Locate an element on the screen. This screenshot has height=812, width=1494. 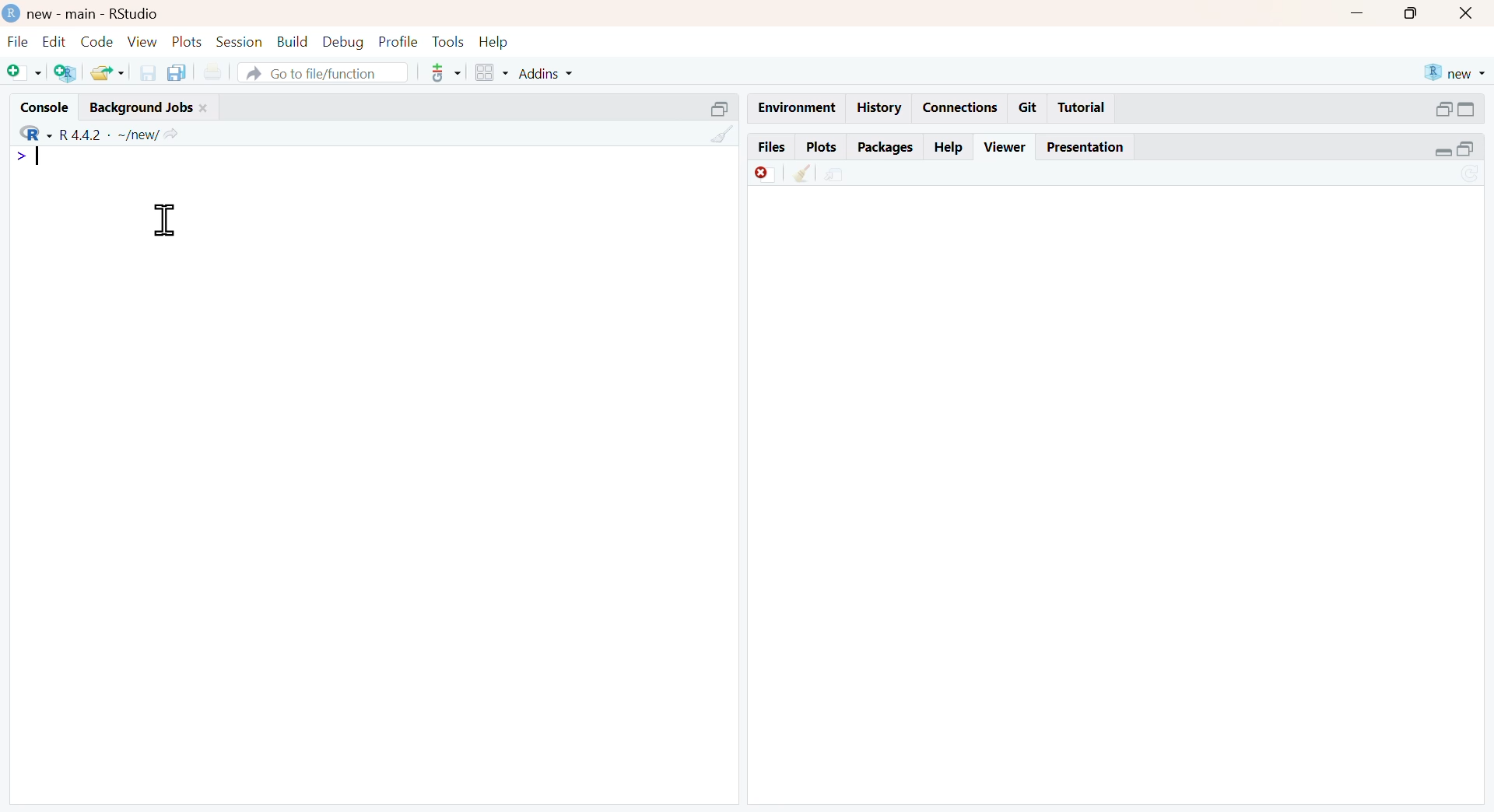
print current document is located at coordinates (220, 72).